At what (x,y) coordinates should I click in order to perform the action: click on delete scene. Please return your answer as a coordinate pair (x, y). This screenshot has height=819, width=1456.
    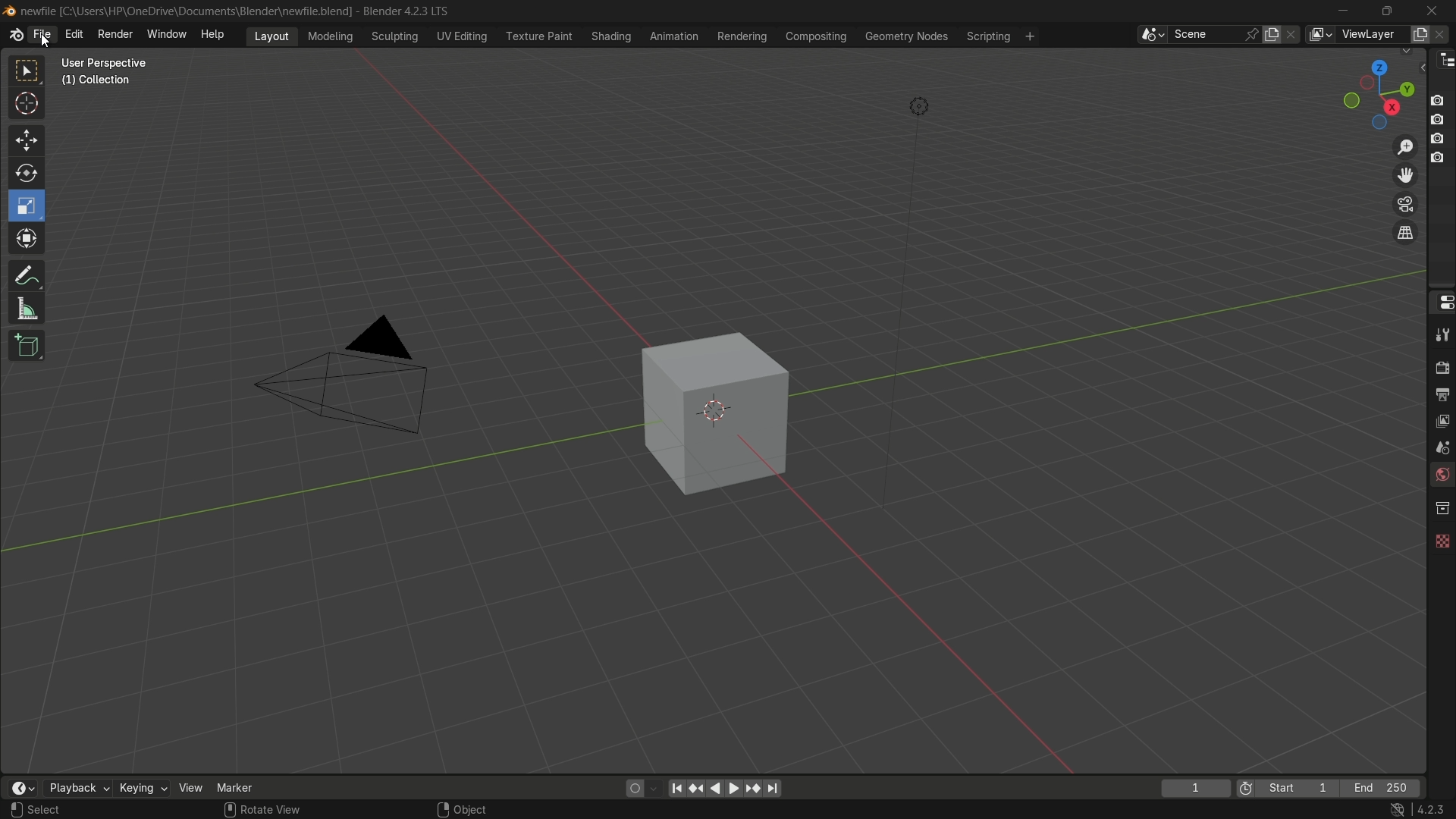
    Looking at the image, I should click on (1293, 34).